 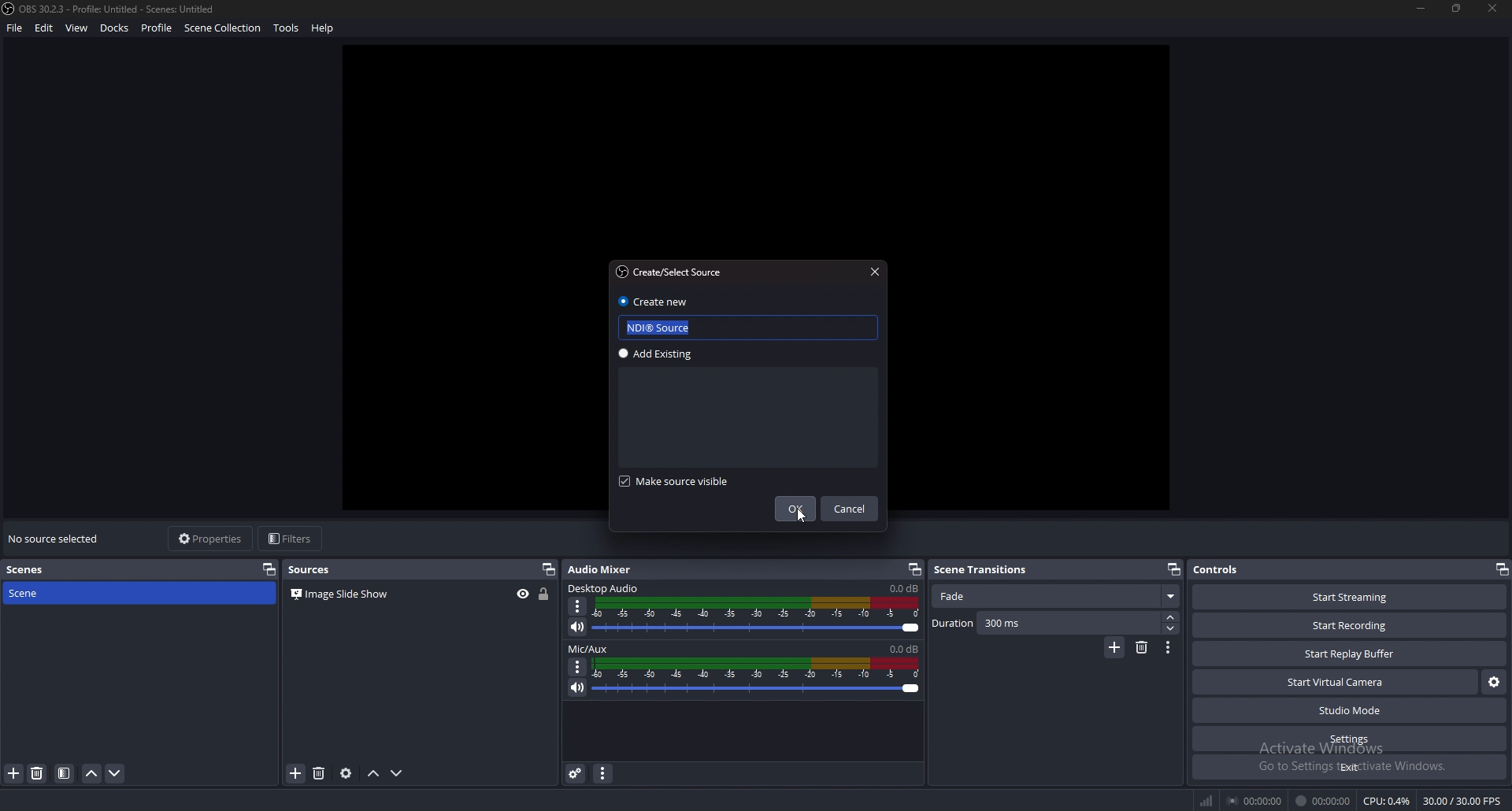 I want to click on edit, so click(x=46, y=28).